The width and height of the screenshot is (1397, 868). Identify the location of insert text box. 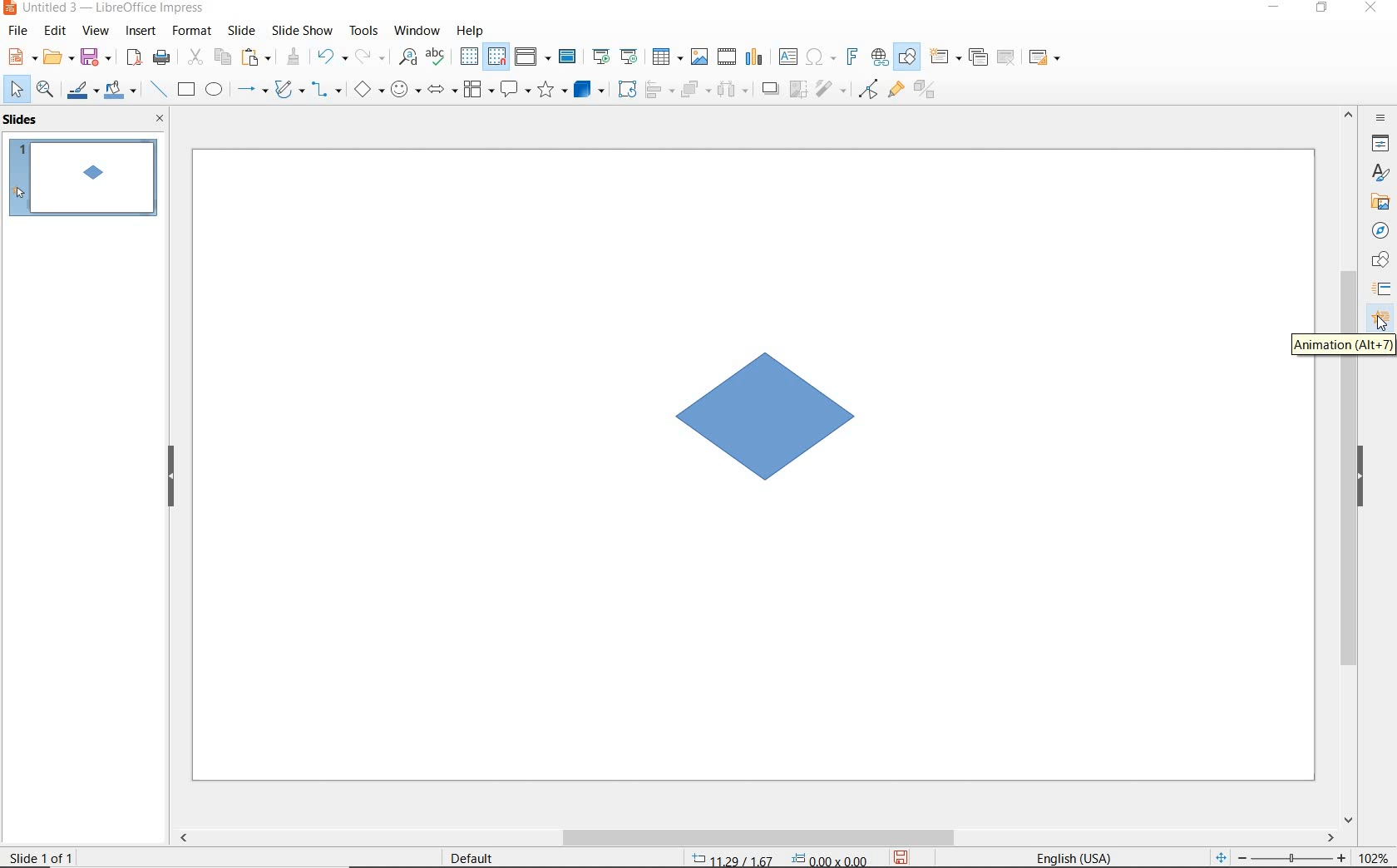
(787, 57).